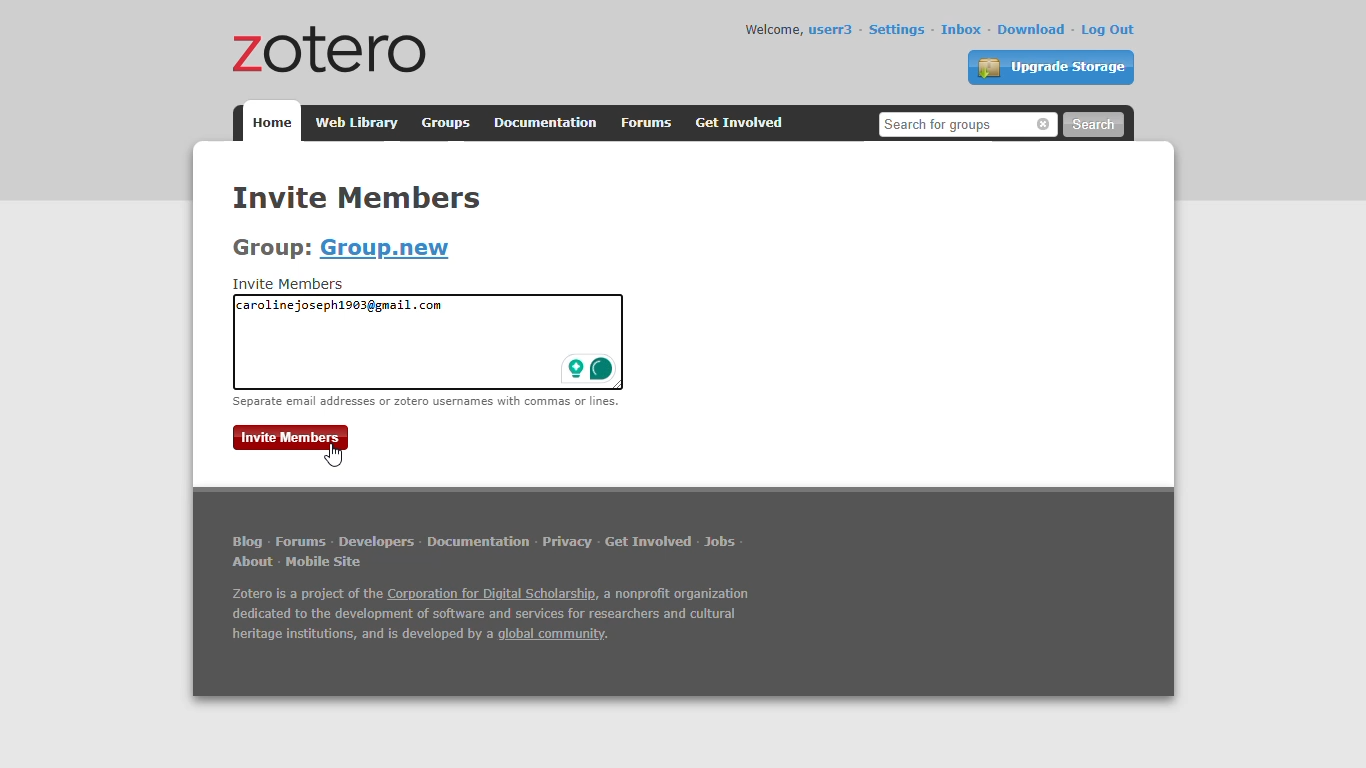 Image resolution: width=1366 pixels, height=768 pixels. What do you see at coordinates (966, 124) in the screenshot?
I see `search for people` at bounding box center [966, 124].